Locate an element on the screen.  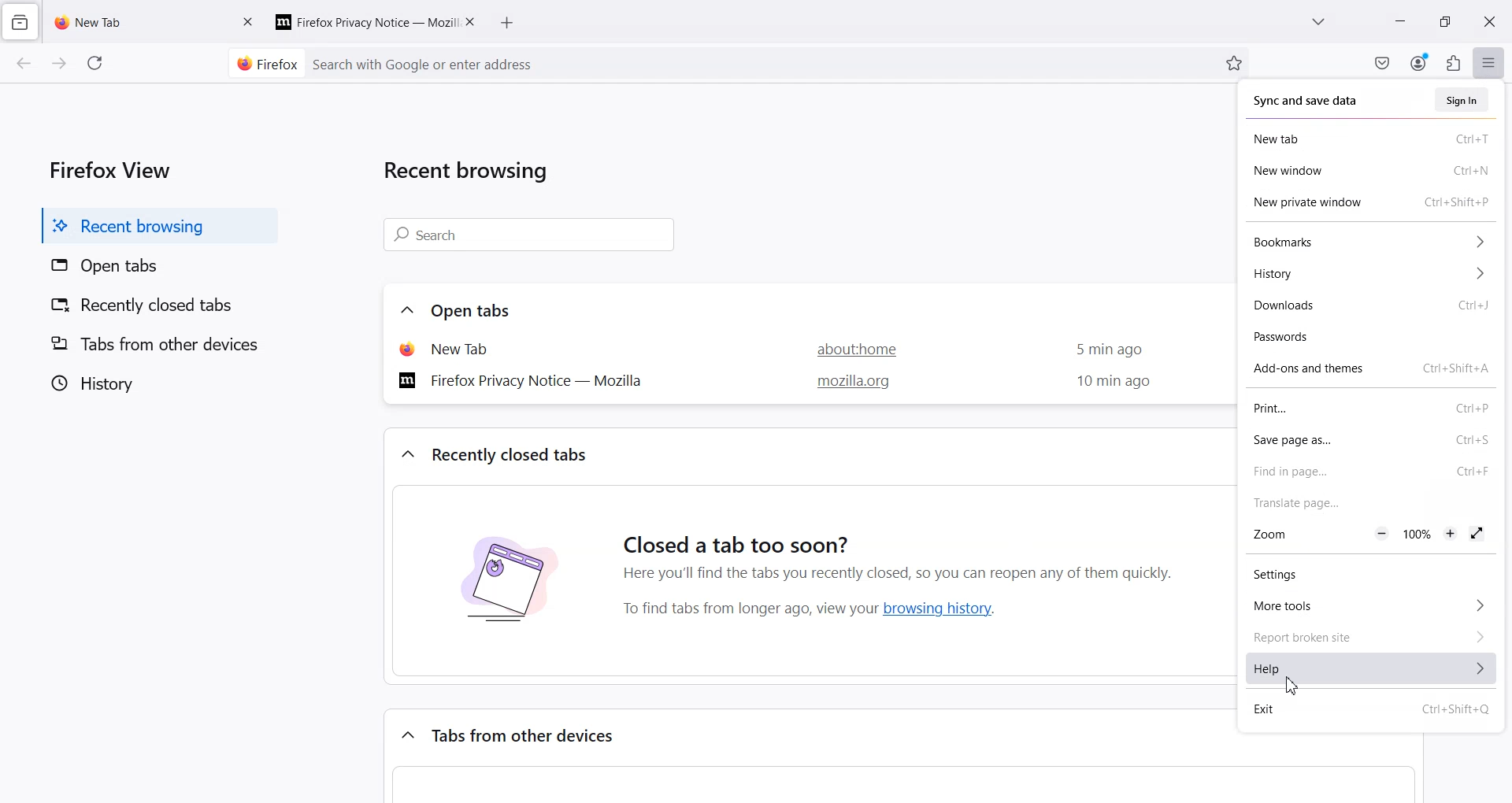
Tabs from other devices is located at coordinates (528, 736).